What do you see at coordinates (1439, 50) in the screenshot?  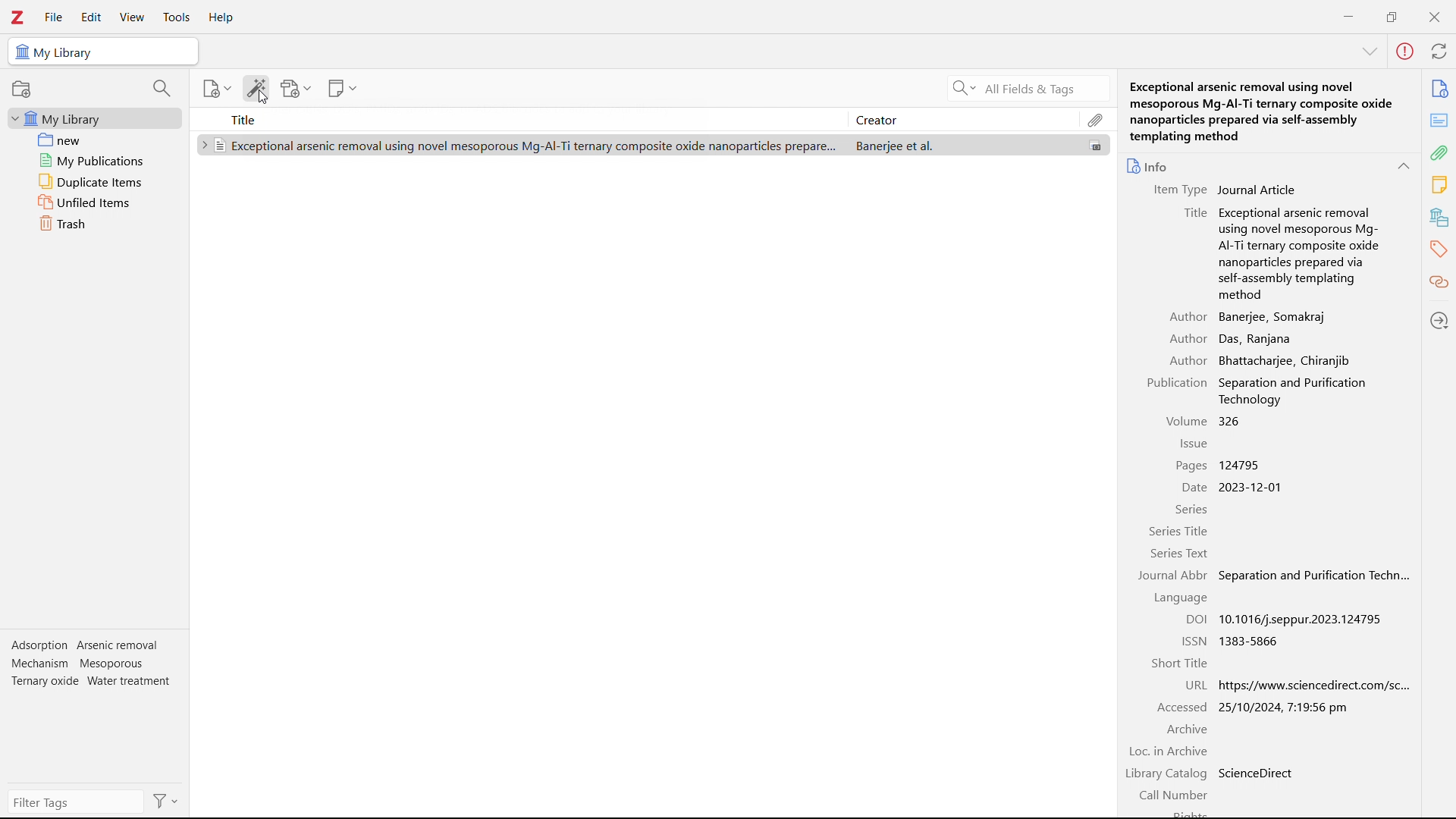 I see `sync with zotero.org` at bounding box center [1439, 50].